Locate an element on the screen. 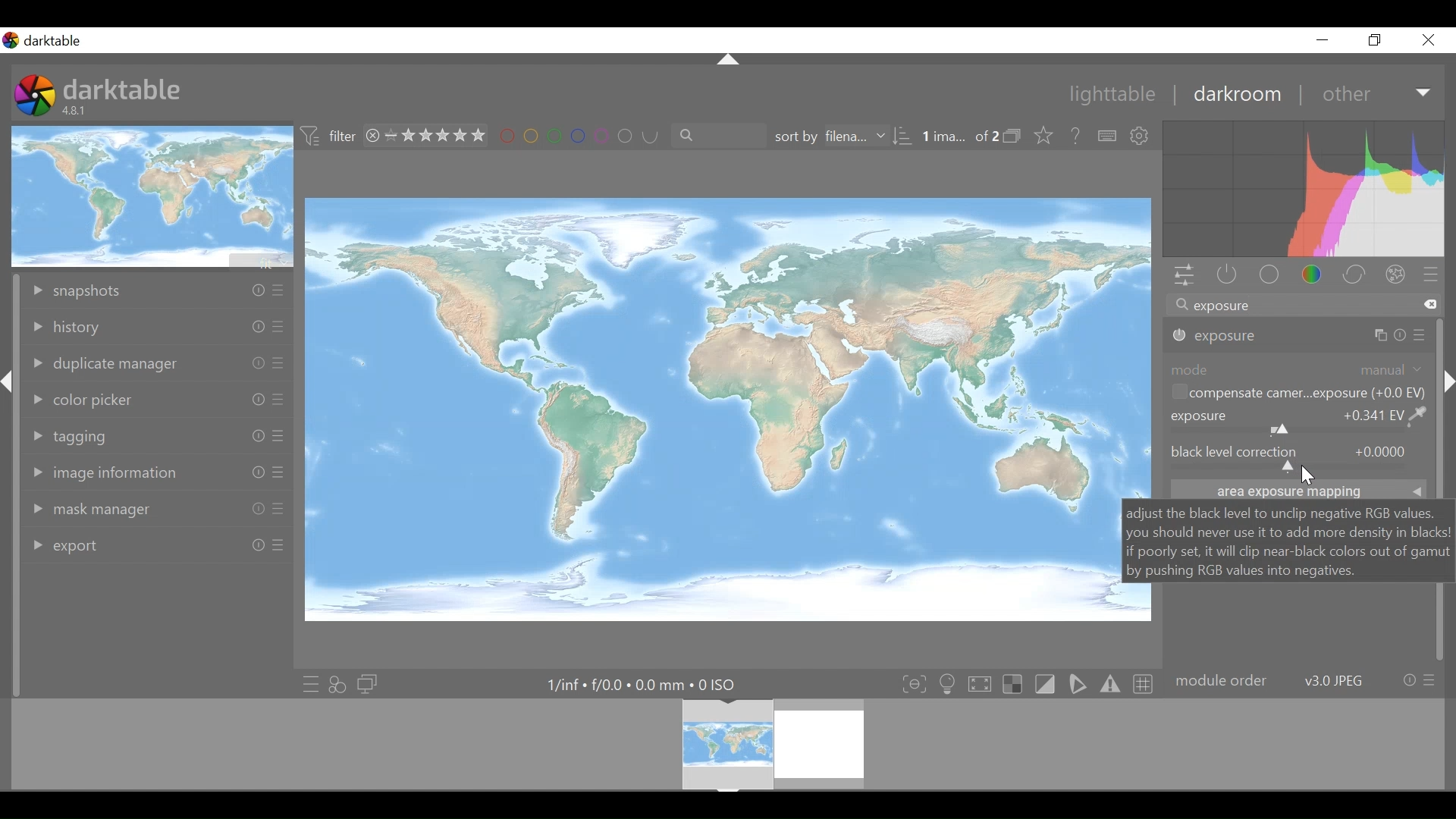 The image size is (1456, 819). Close is located at coordinates (1427, 39).